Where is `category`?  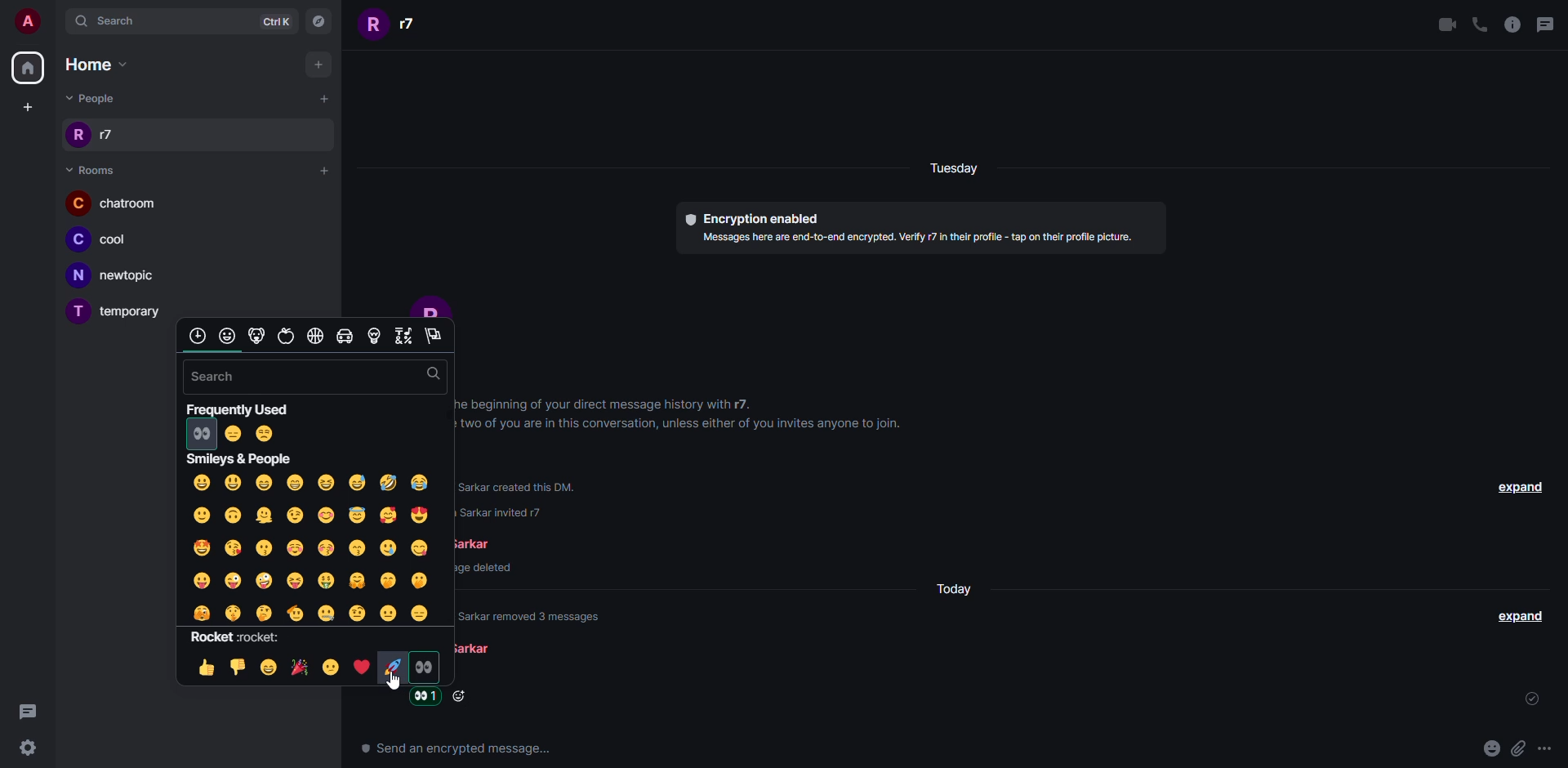
category is located at coordinates (198, 337).